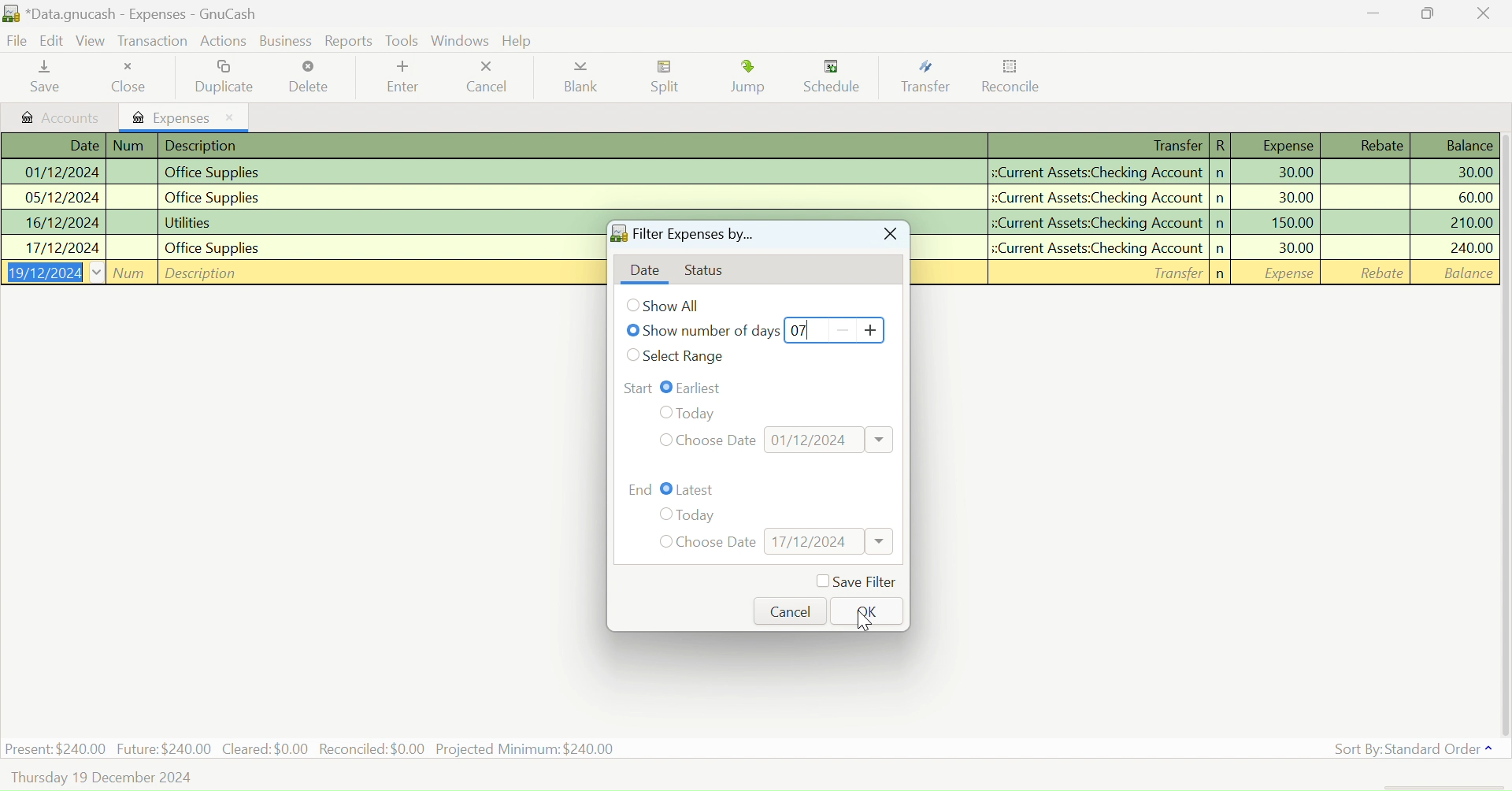  Describe the element at coordinates (133, 15) in the screenshot. I see `*Data.gnucash - Accounts - GnuCash` at that location.